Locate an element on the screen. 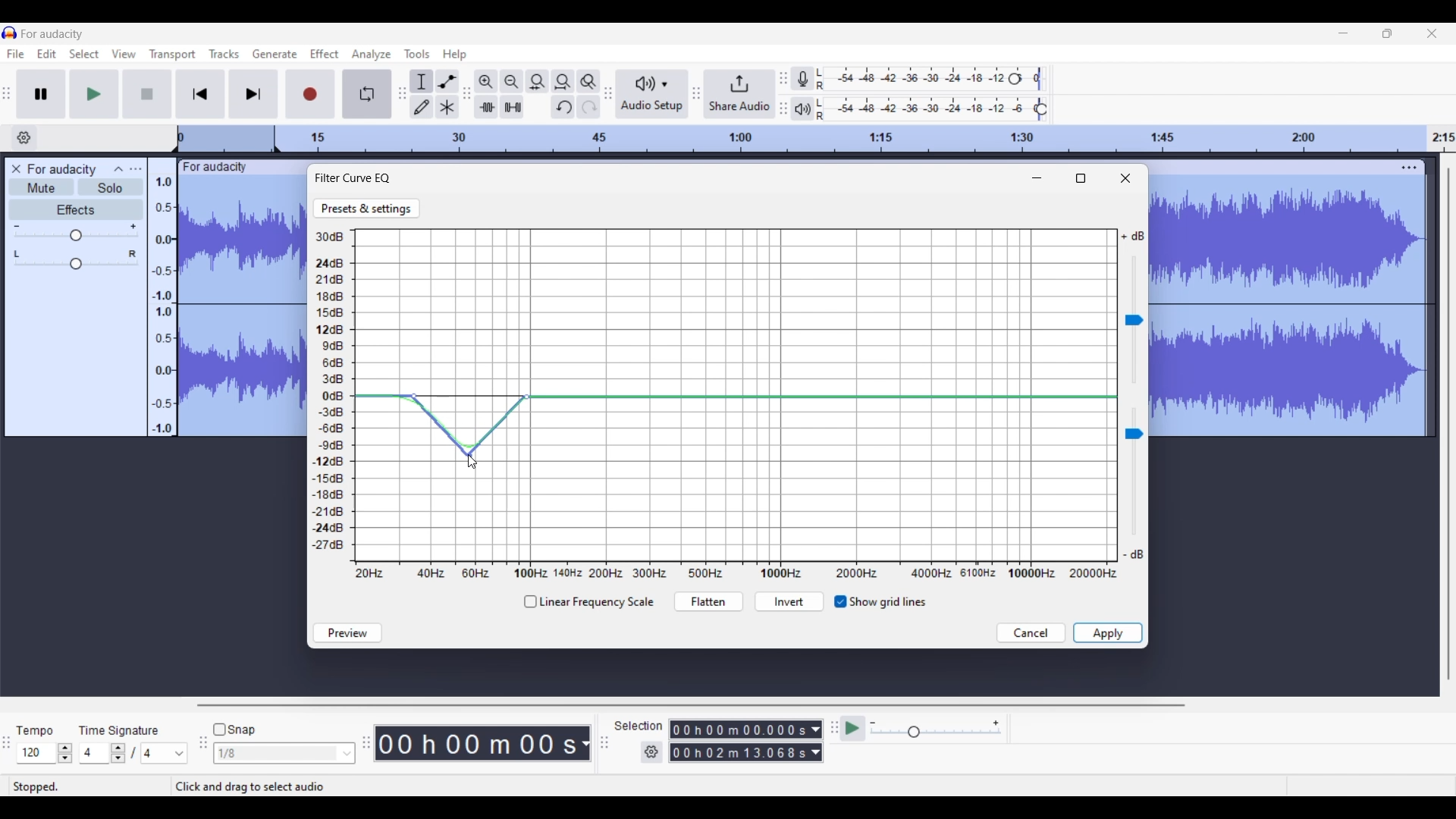  Open menu is located at coordinates (135, 168).